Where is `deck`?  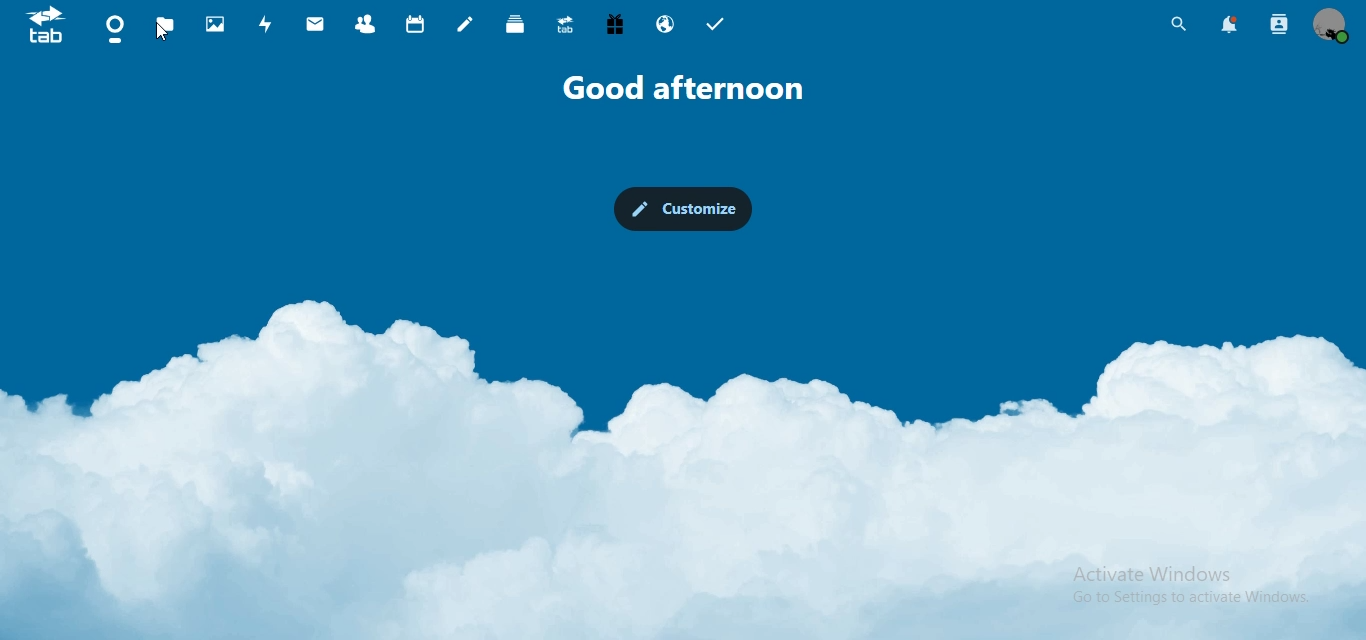
deck is located at coordinates (516, 26).